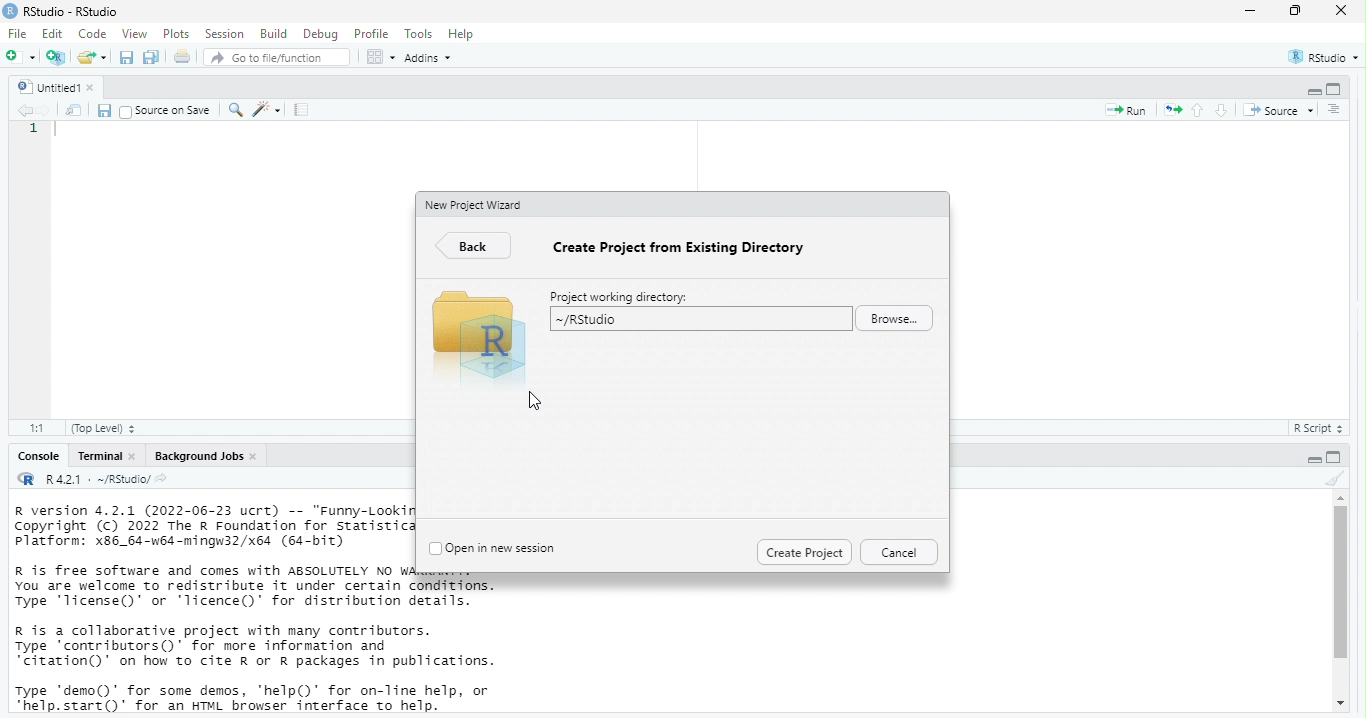 The width and height of the screenshot is (1366, 718). I want to click on cursor, so click(536, 399).